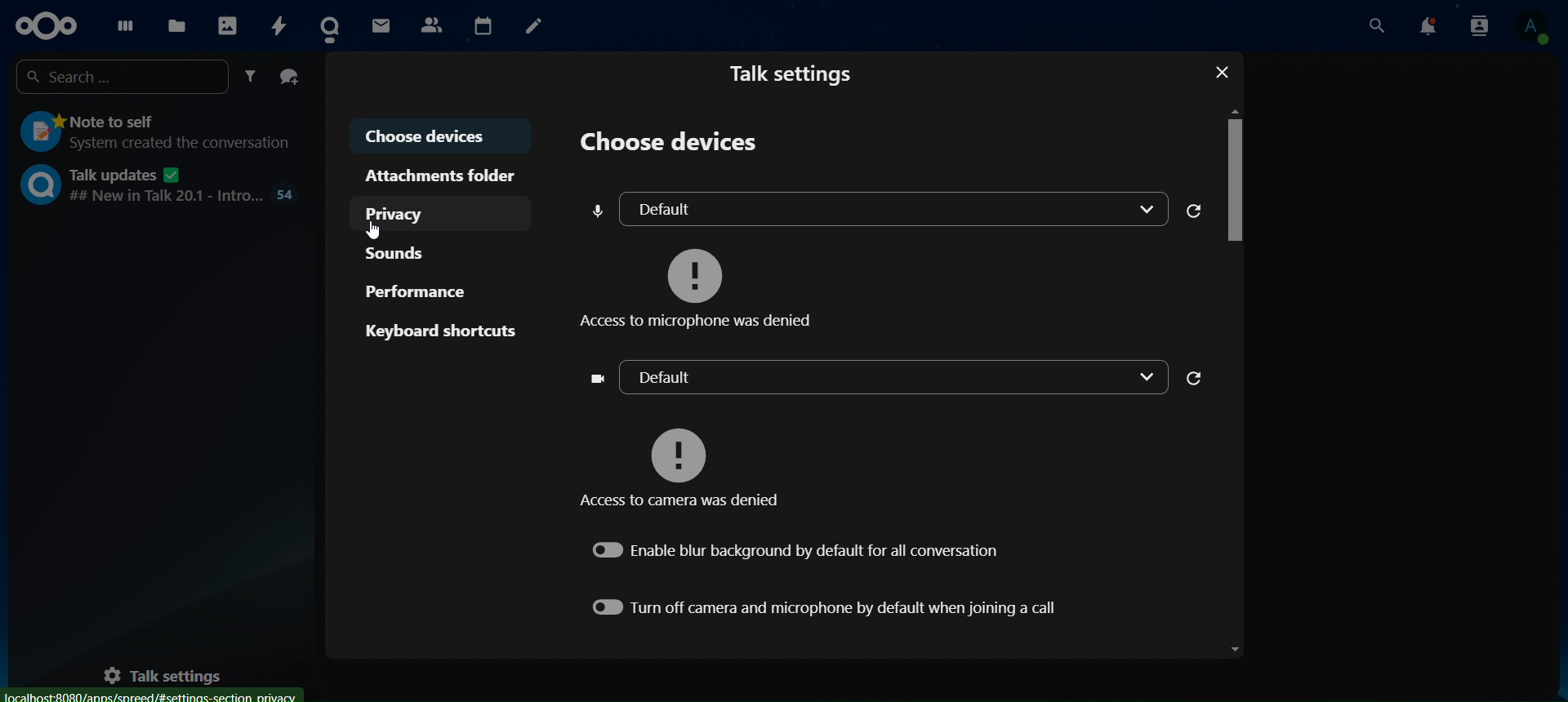  I want to click on Localhost:8080, so click(152, 695).